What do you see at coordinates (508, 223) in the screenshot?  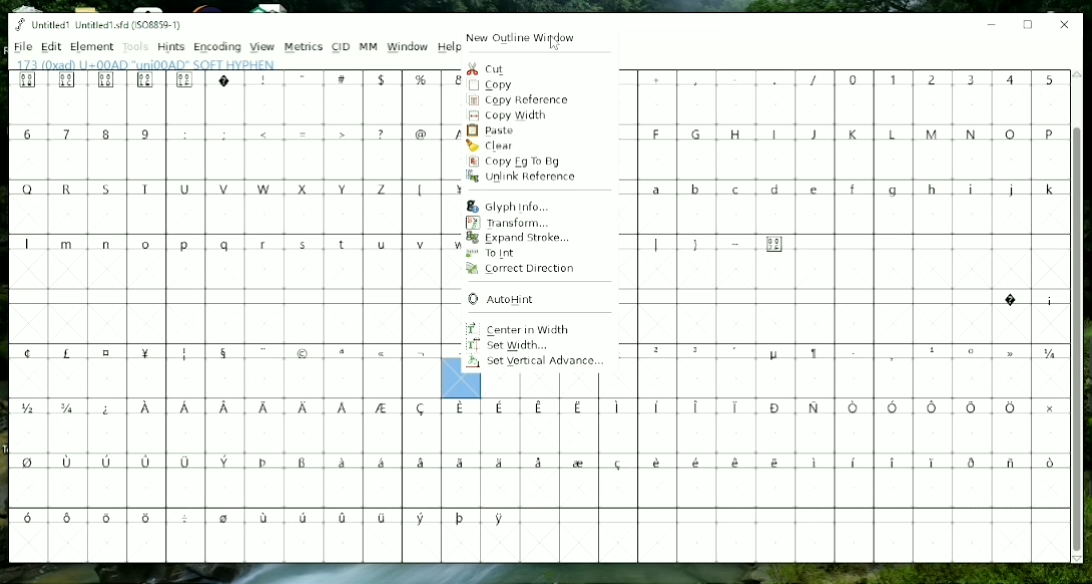 I see `Transform` at bounding box center [508, 223].